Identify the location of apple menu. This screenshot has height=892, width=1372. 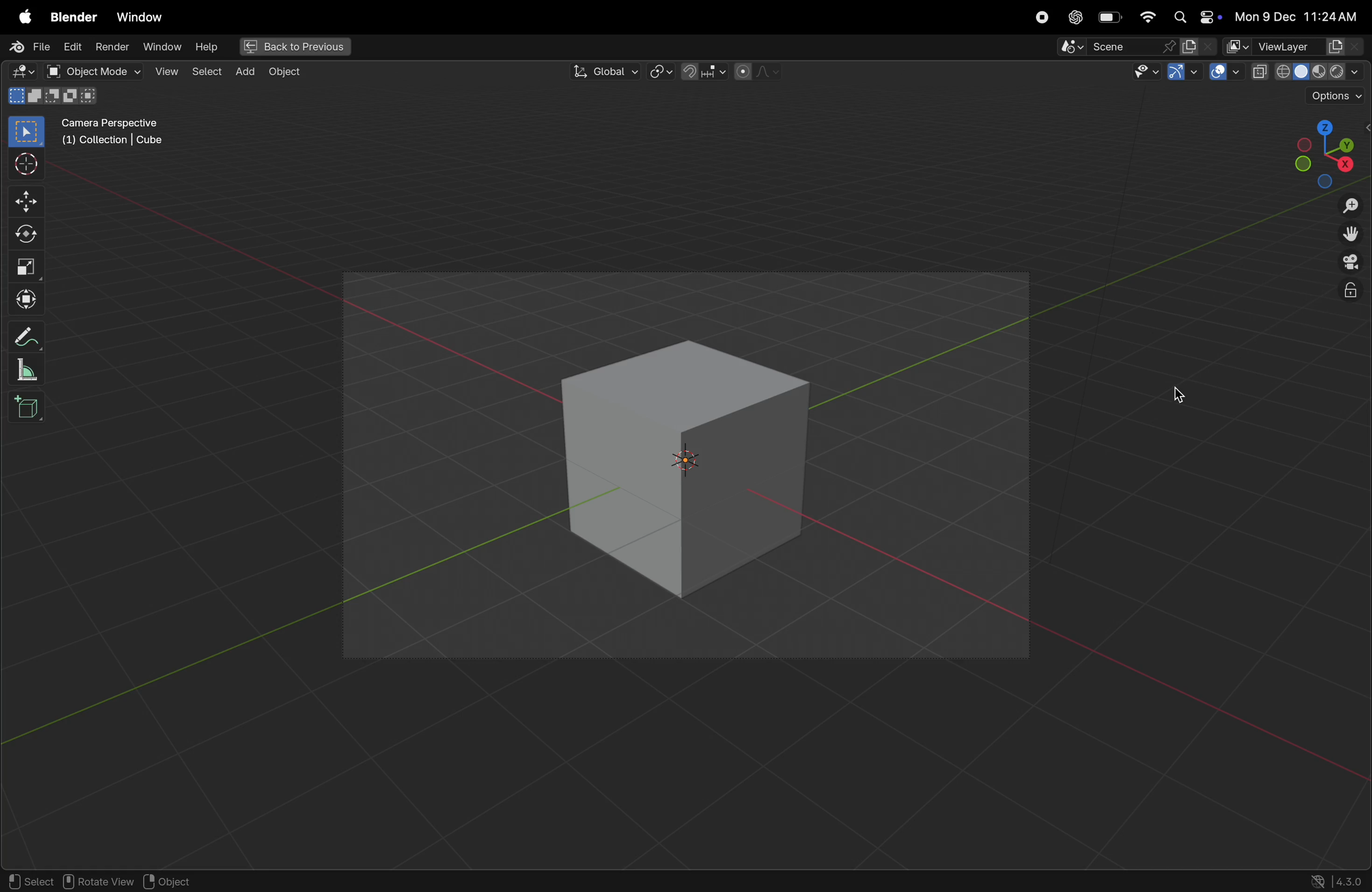
(20, 13).